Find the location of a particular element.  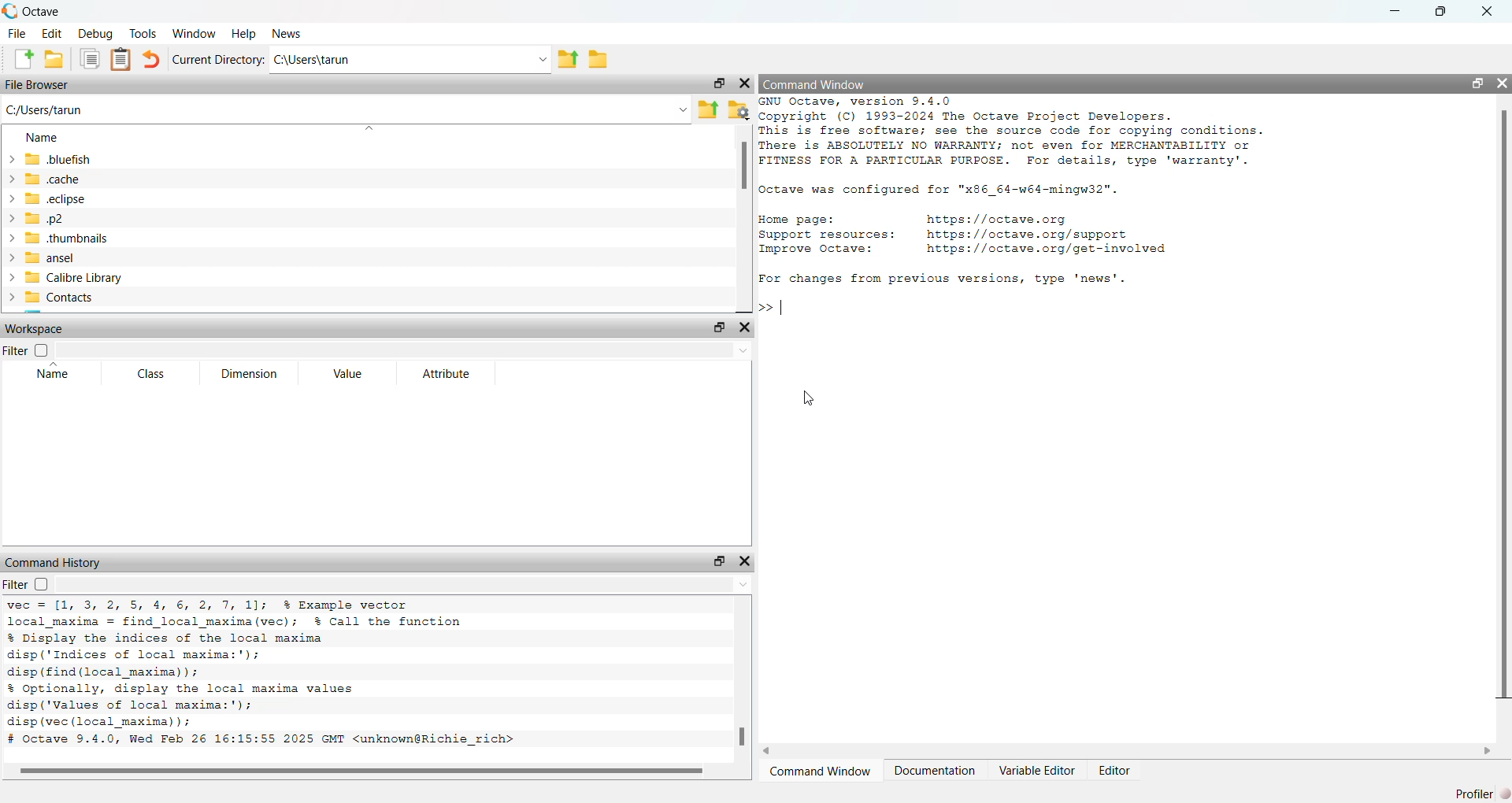

Browse Directions is located at coordinates (598, 57).